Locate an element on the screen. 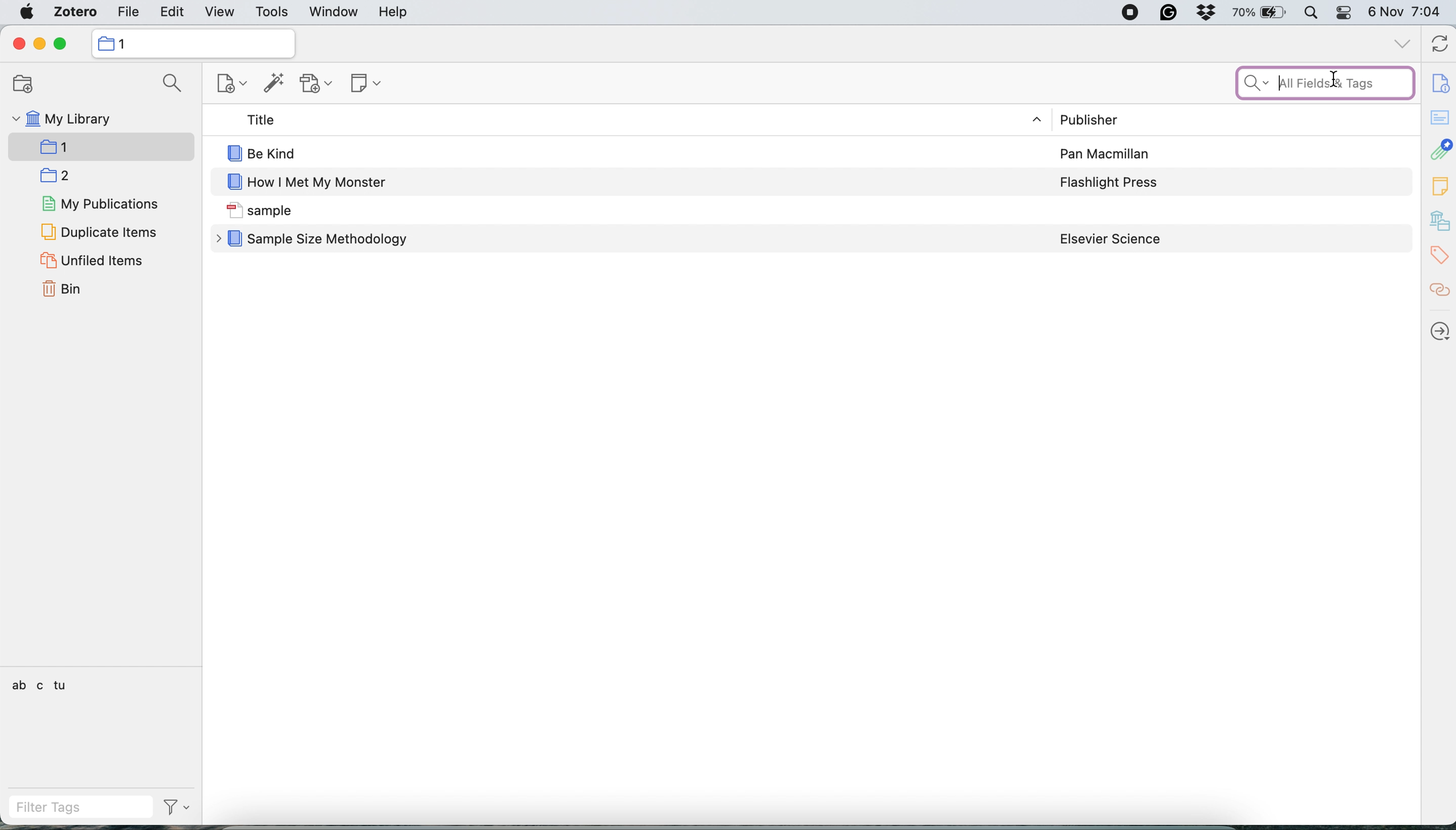 The height and width of the screenshot is (830, 1456). new collection is located at coordinates (27, 82).